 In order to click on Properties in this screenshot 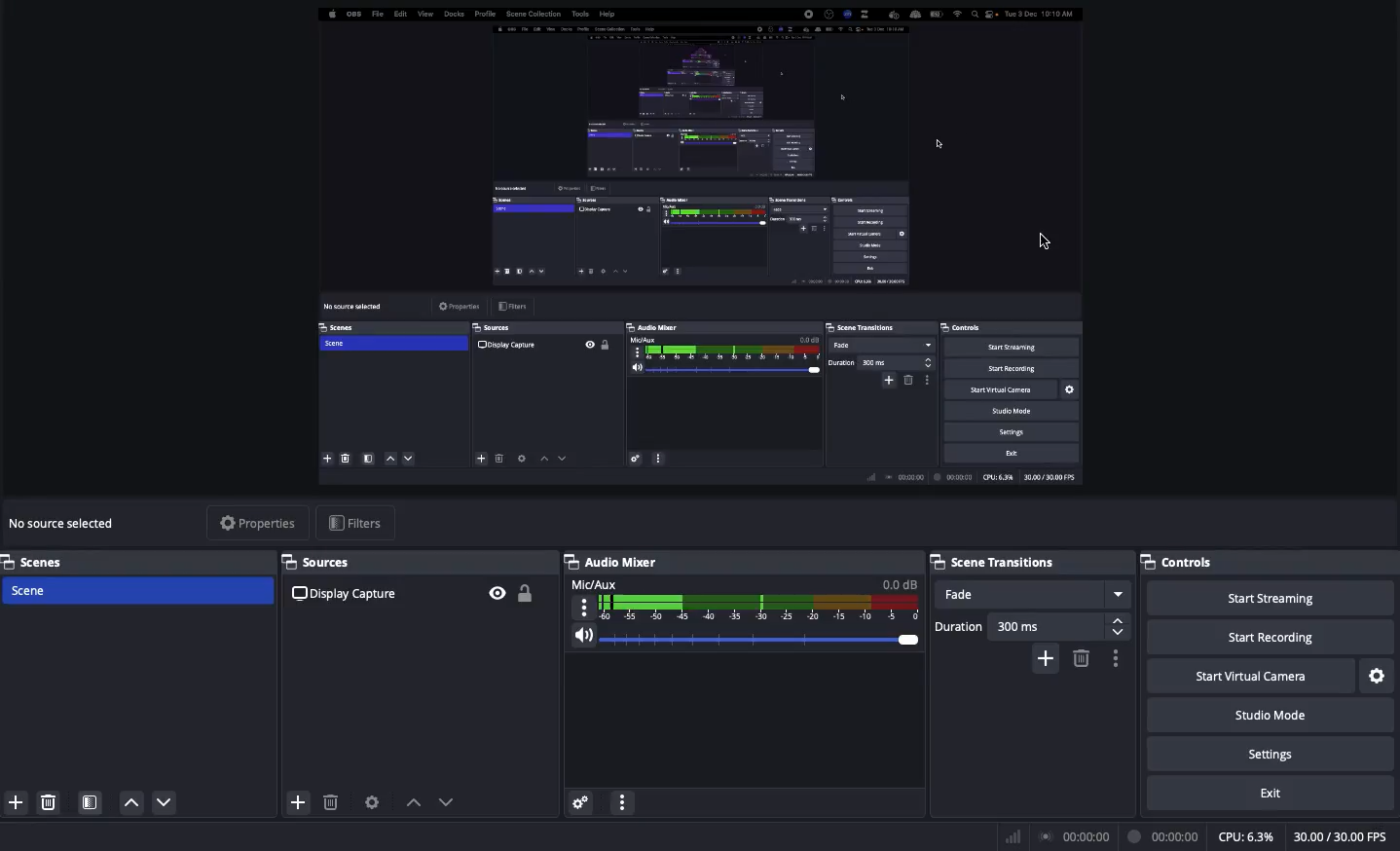, I will do `click(254, 523)`.